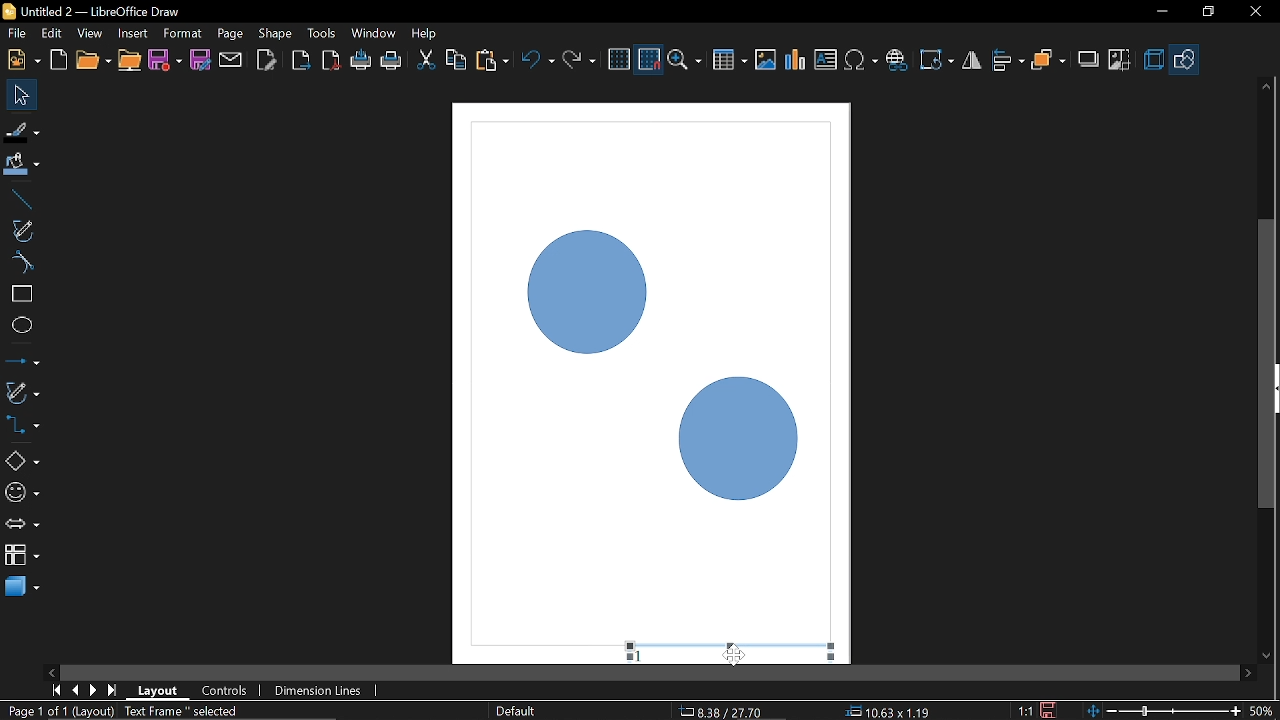 The height and width of the screenshot is (720, 1280). What do you see at coordinates (362, 61) in the screenshot?
I see `print ` at bounding box center [362, 61].